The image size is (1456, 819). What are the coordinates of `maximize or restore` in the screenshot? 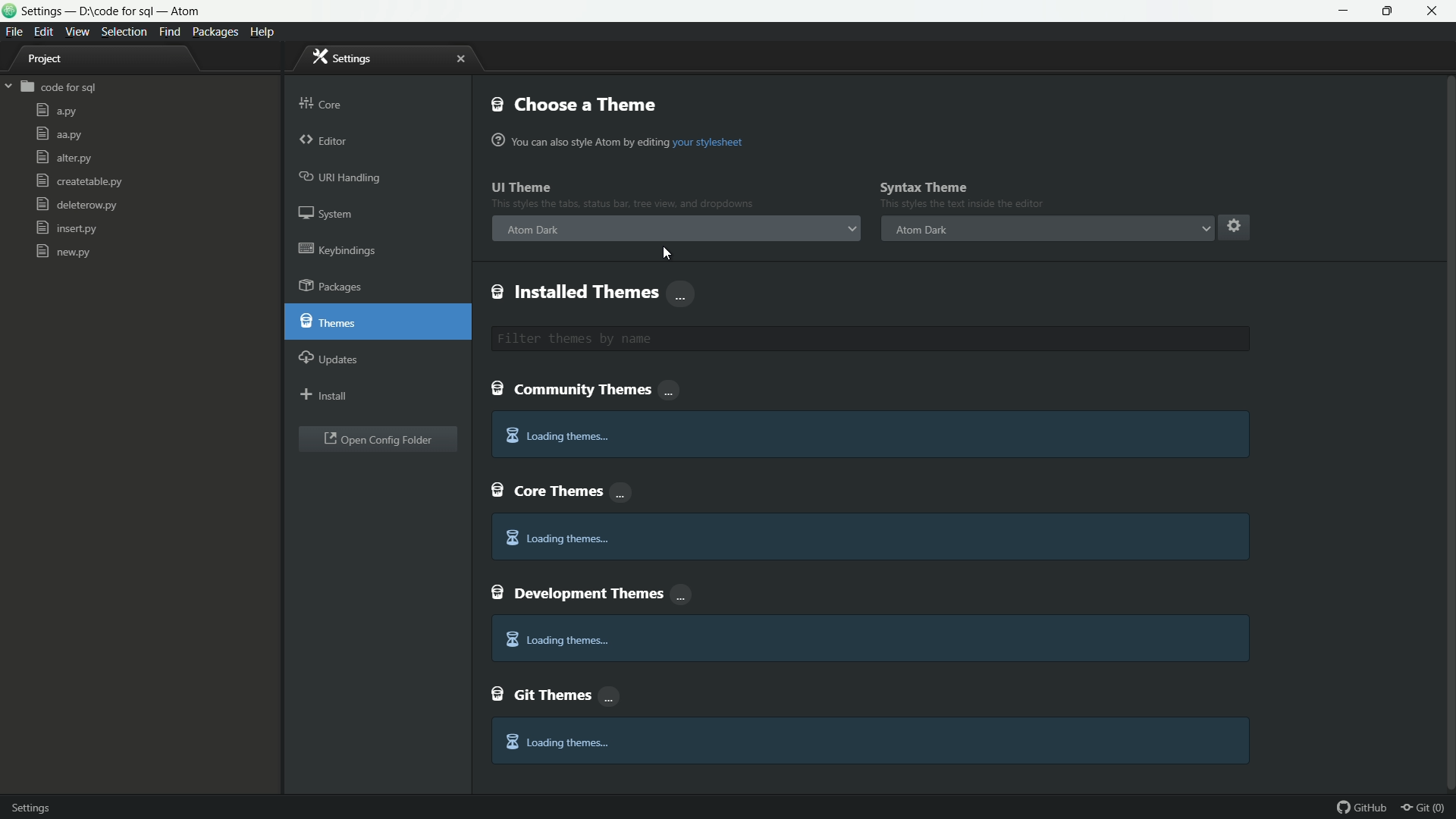 It's located at (1389, 11).